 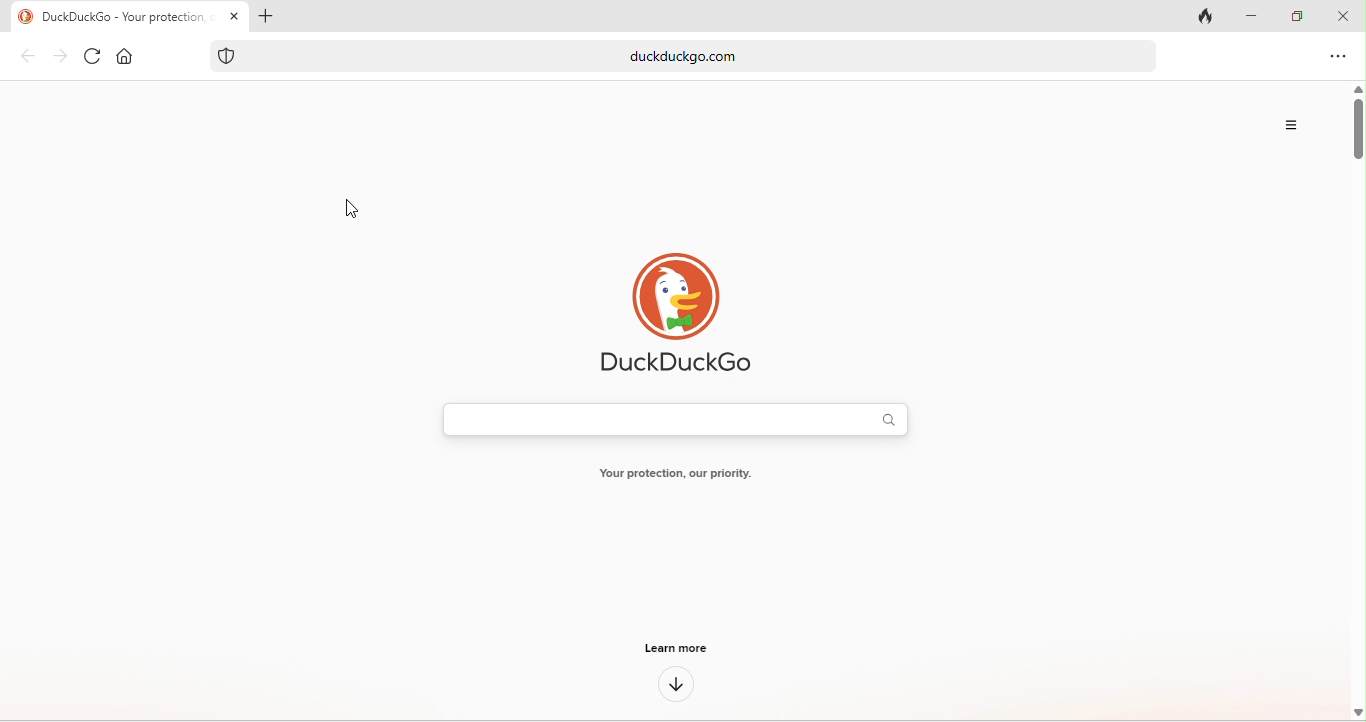 What do you see at coordinates (1340, 58) in the screenshot?
I see `option` at bounding box center [1340, 58].